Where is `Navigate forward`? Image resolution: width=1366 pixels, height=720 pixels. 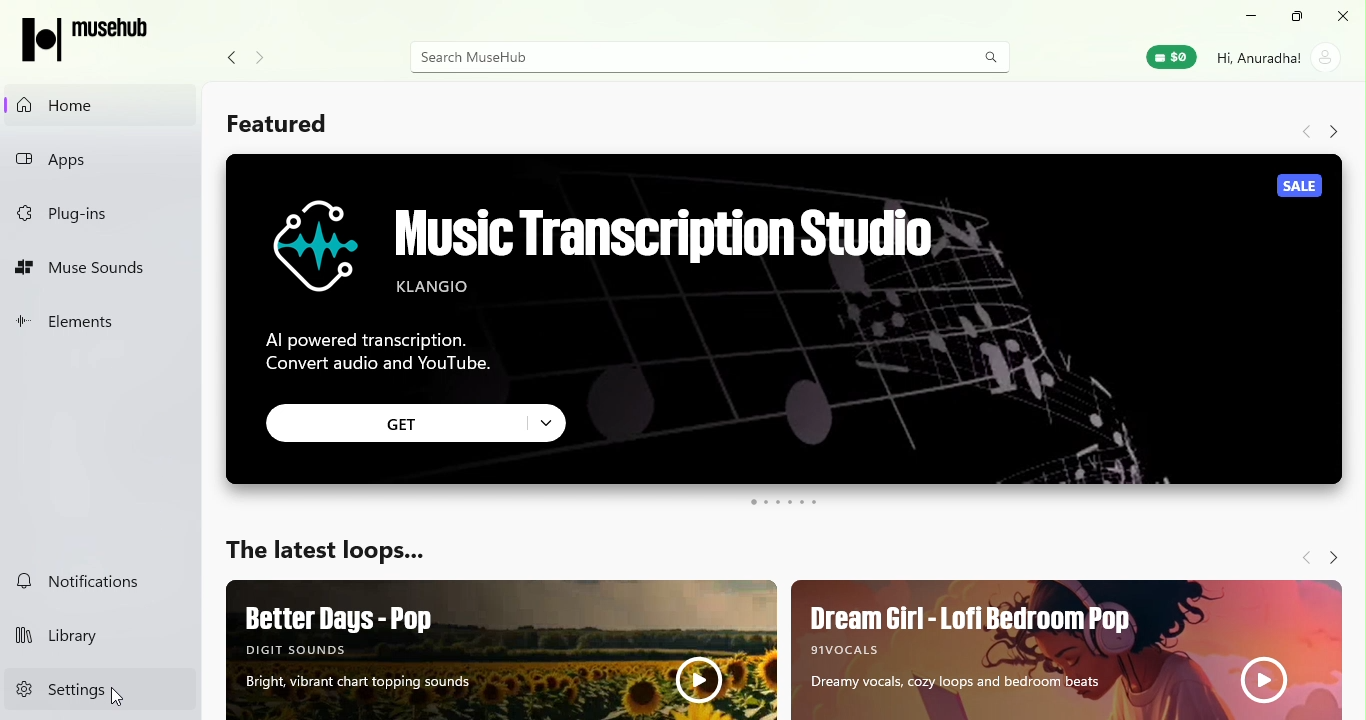 Navigate forward is located at coordinates (1332, 556).